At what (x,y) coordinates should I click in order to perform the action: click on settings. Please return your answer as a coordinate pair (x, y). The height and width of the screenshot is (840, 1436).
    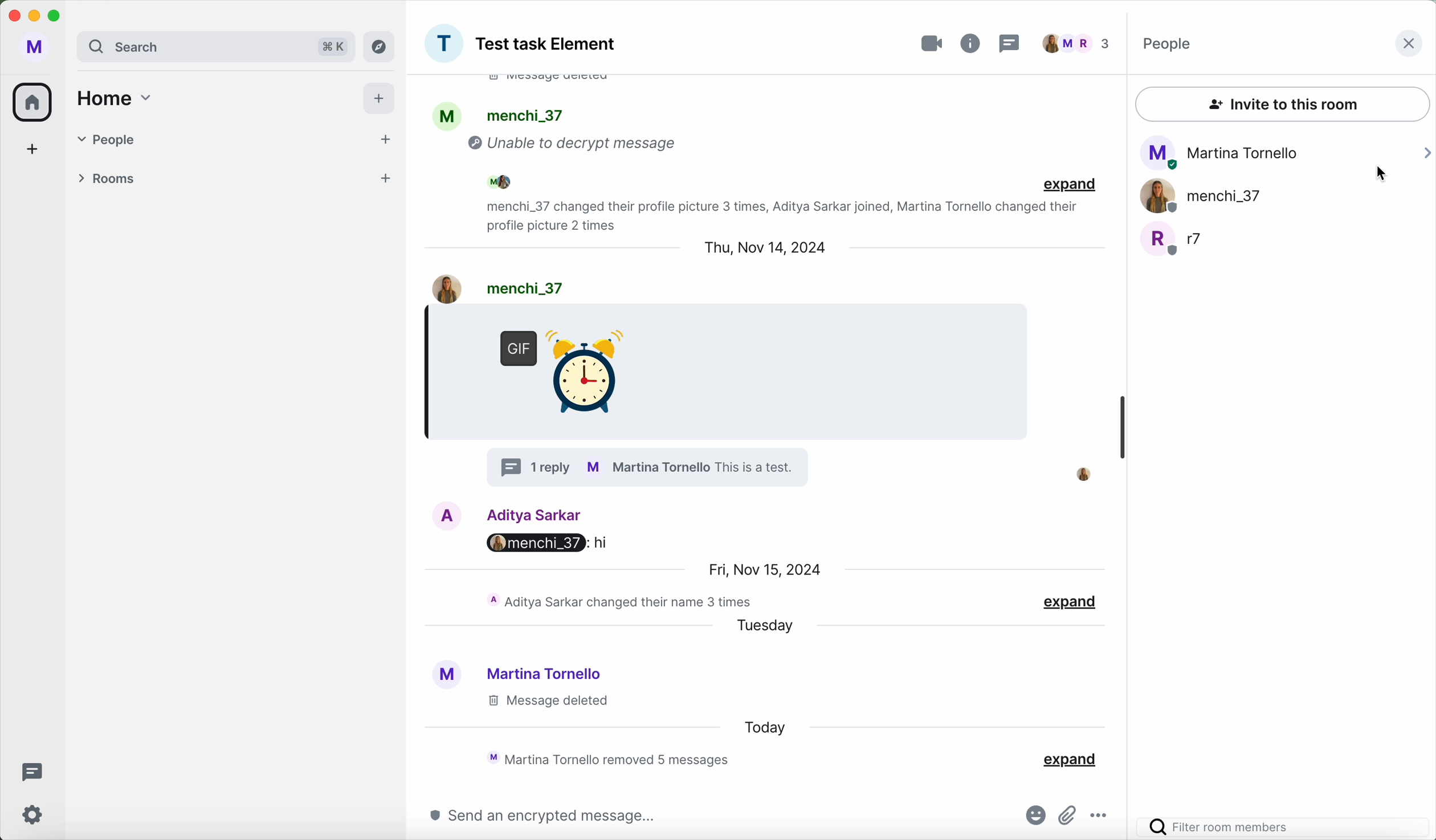
    Looking at the image, I should click on (35, 814).